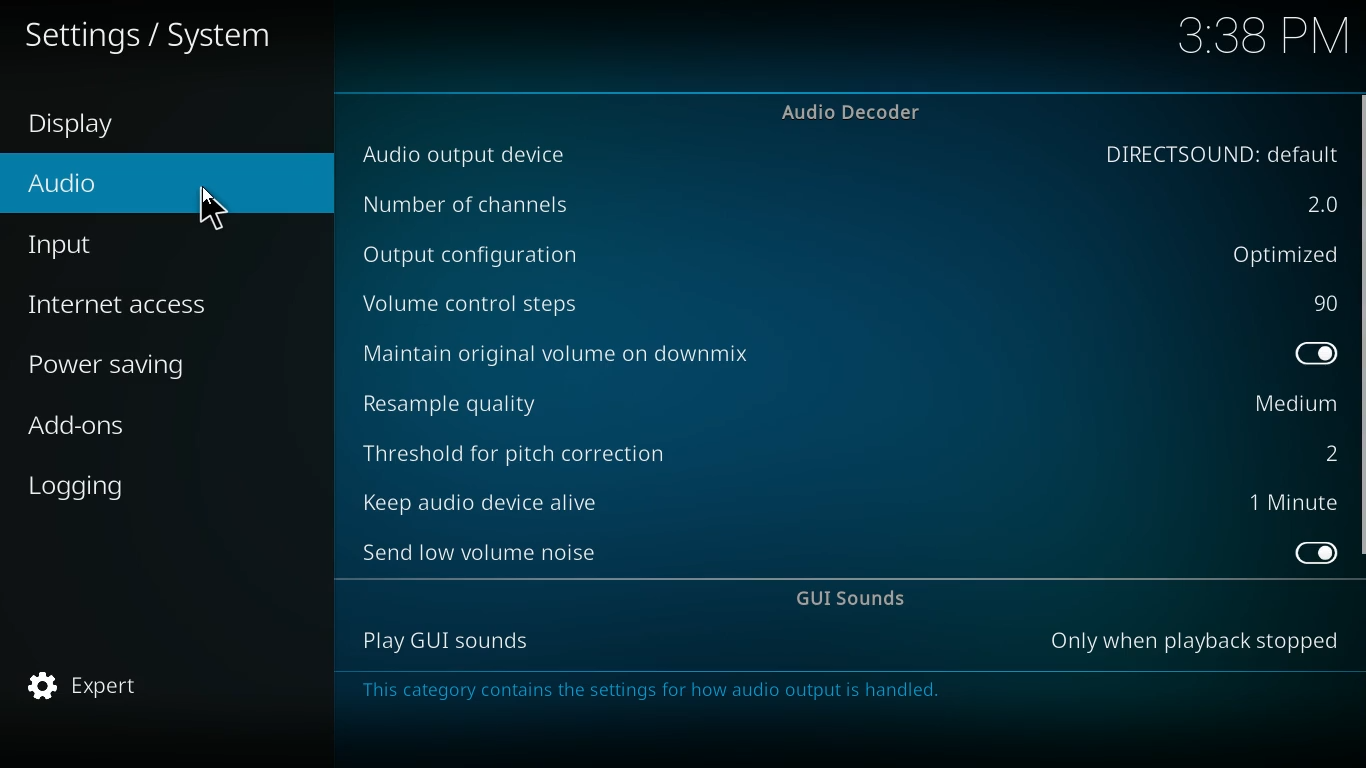  Describe the element at coordinates (593, 351) in the screenshot. I see `mantain original volume on downmix` at that location.